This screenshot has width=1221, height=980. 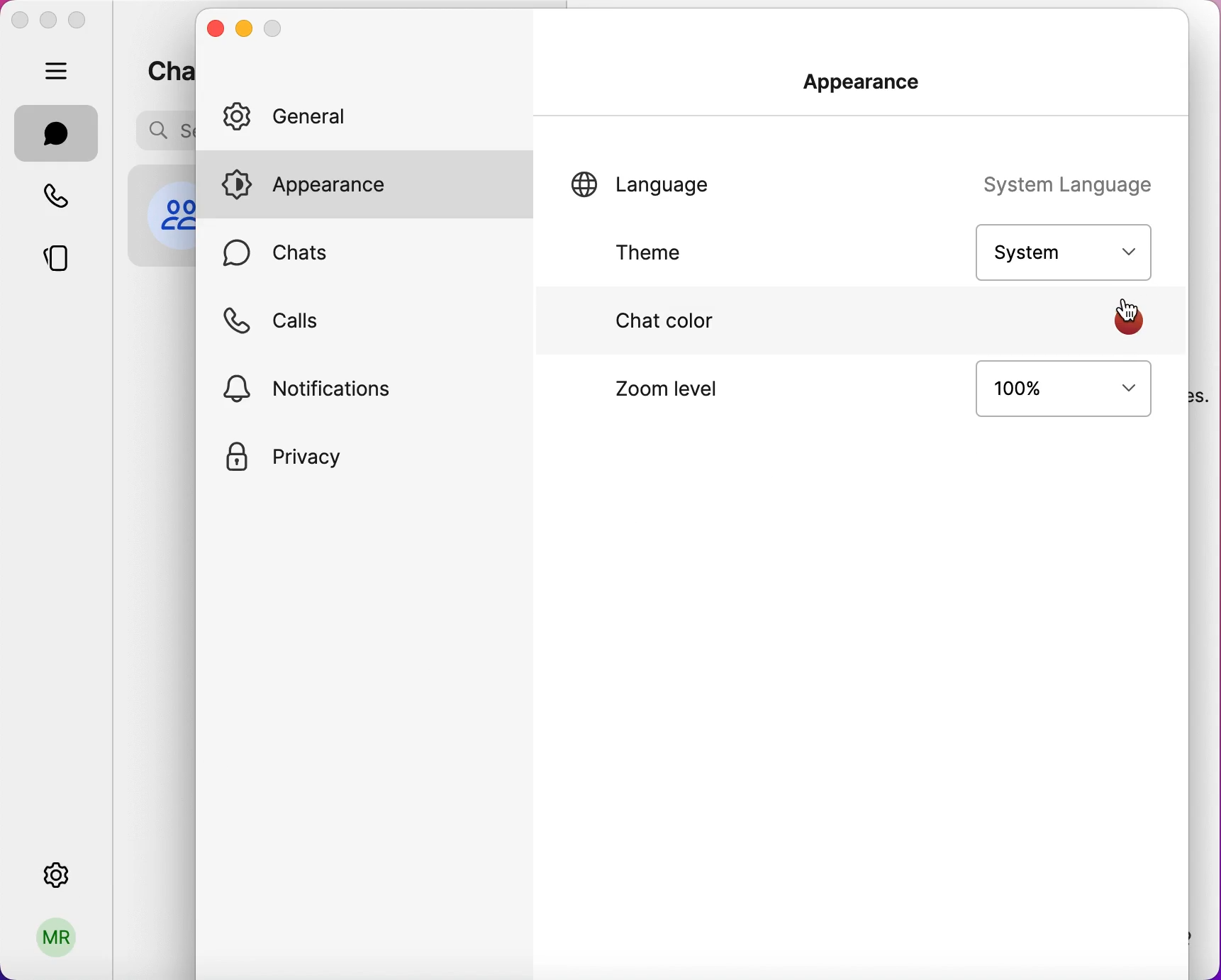 I want to click on appearance, so click(x=871, y=89).